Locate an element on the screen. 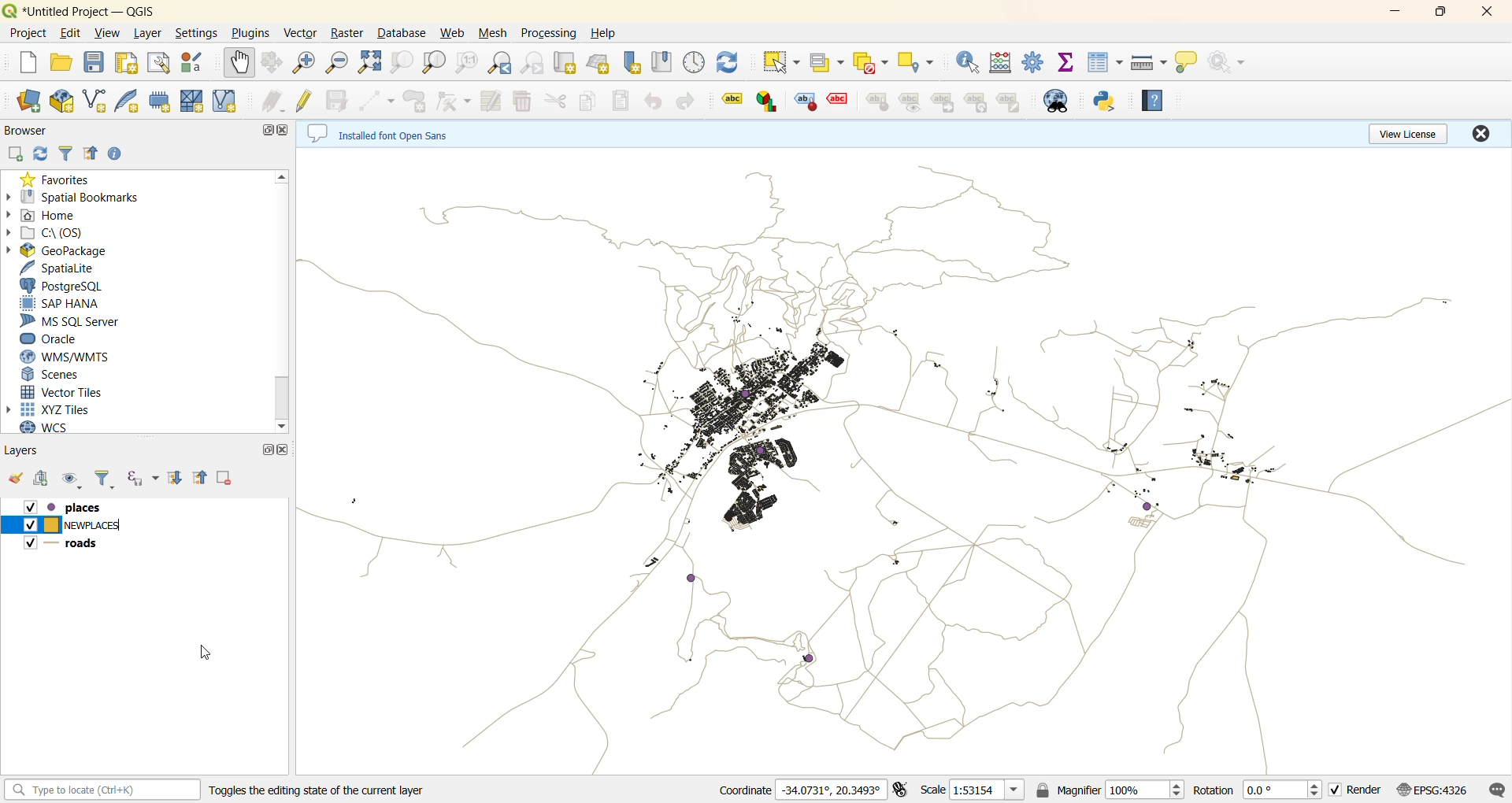 This screenshot has width=1512, height=803. wcs is located at coordinates (57, 430).